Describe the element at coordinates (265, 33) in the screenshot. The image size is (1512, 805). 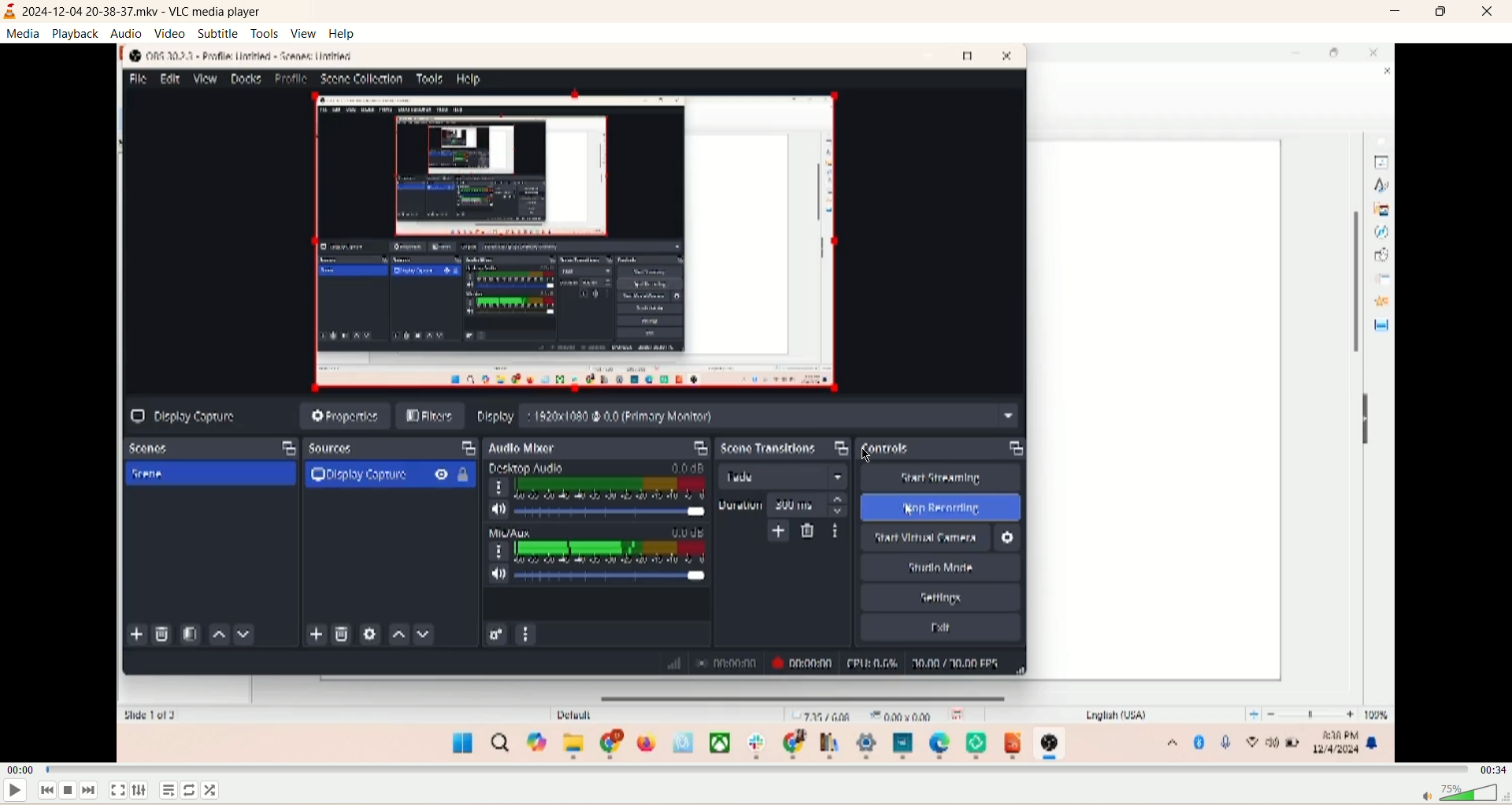
I see `tools` at that location.